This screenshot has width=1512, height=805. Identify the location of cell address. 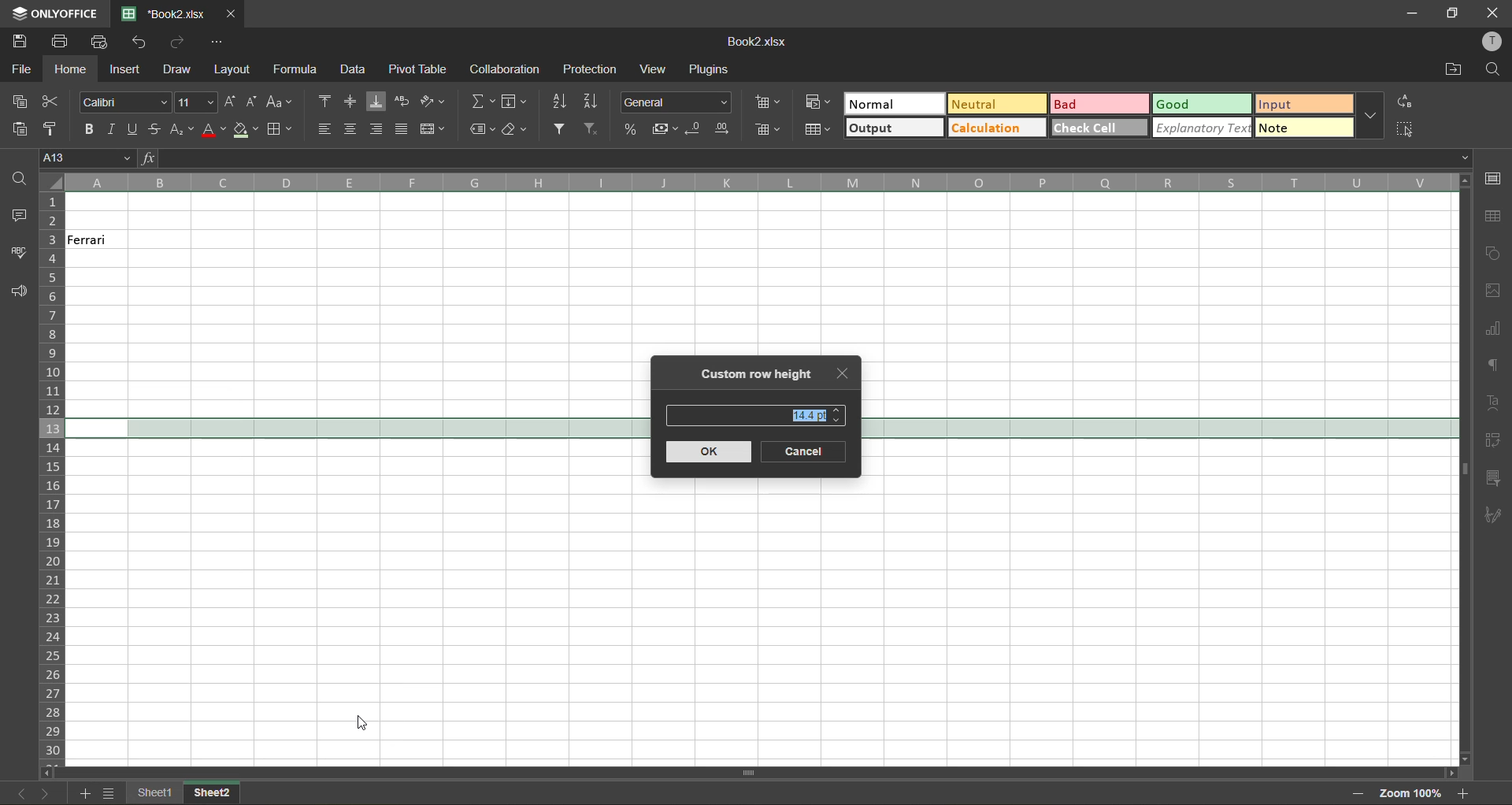
(87, 159).